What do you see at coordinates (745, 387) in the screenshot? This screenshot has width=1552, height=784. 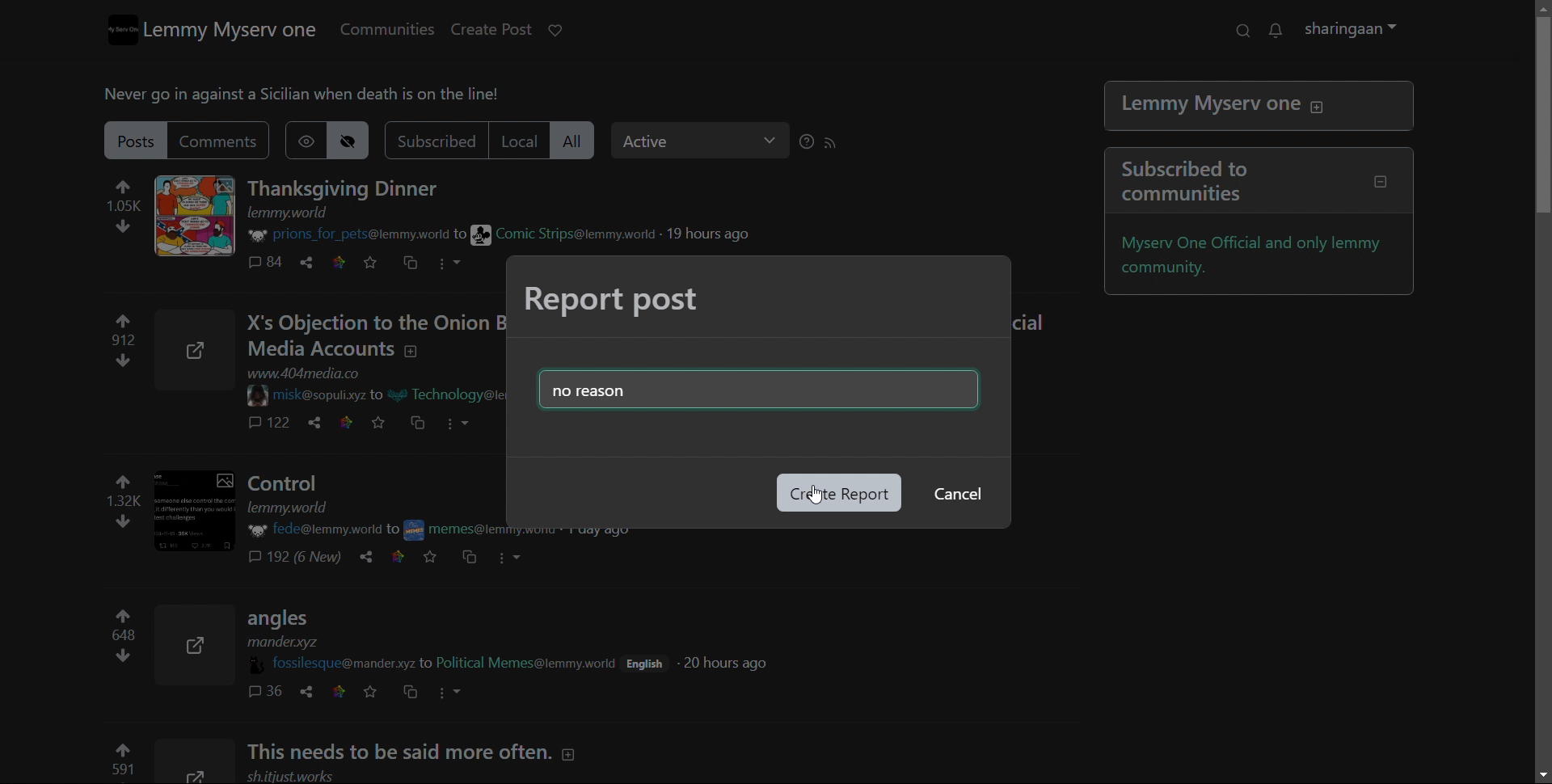 I see `"no reason" typed` at bounding box center [745, 387].